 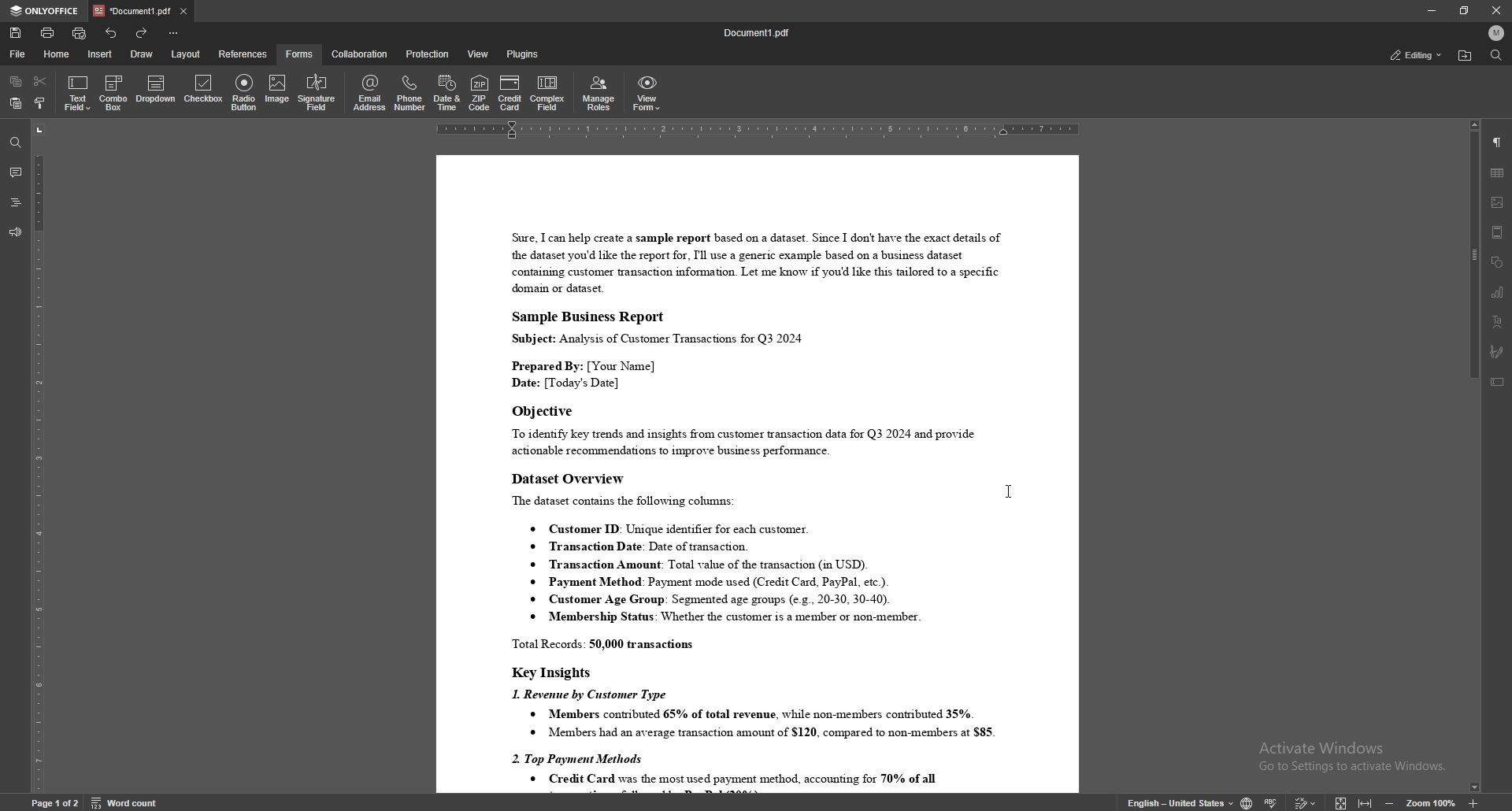 I want to click on home, so click(x=59, y=54).